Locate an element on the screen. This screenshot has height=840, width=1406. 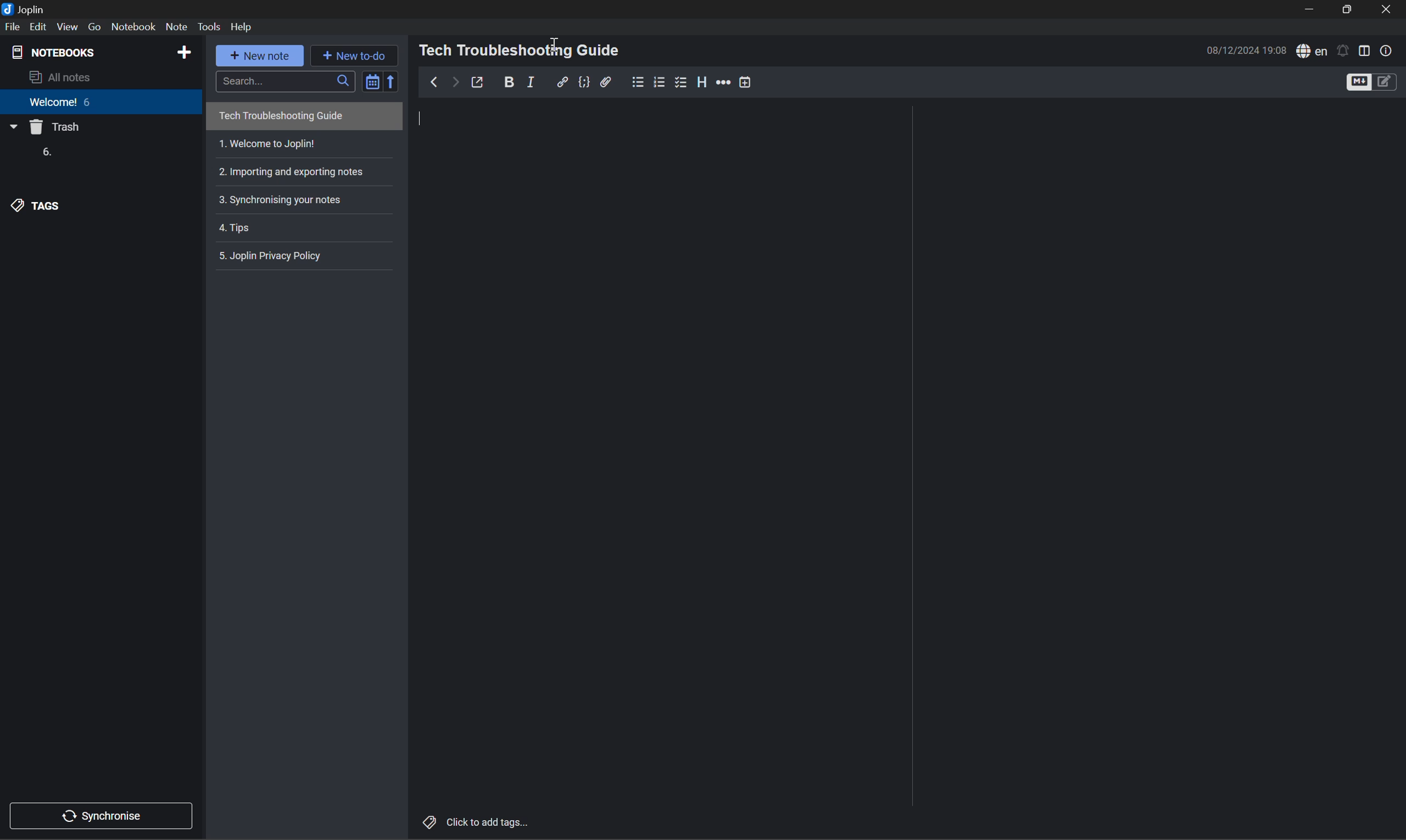
Insert/edit link is located at coordinates (562, 81).